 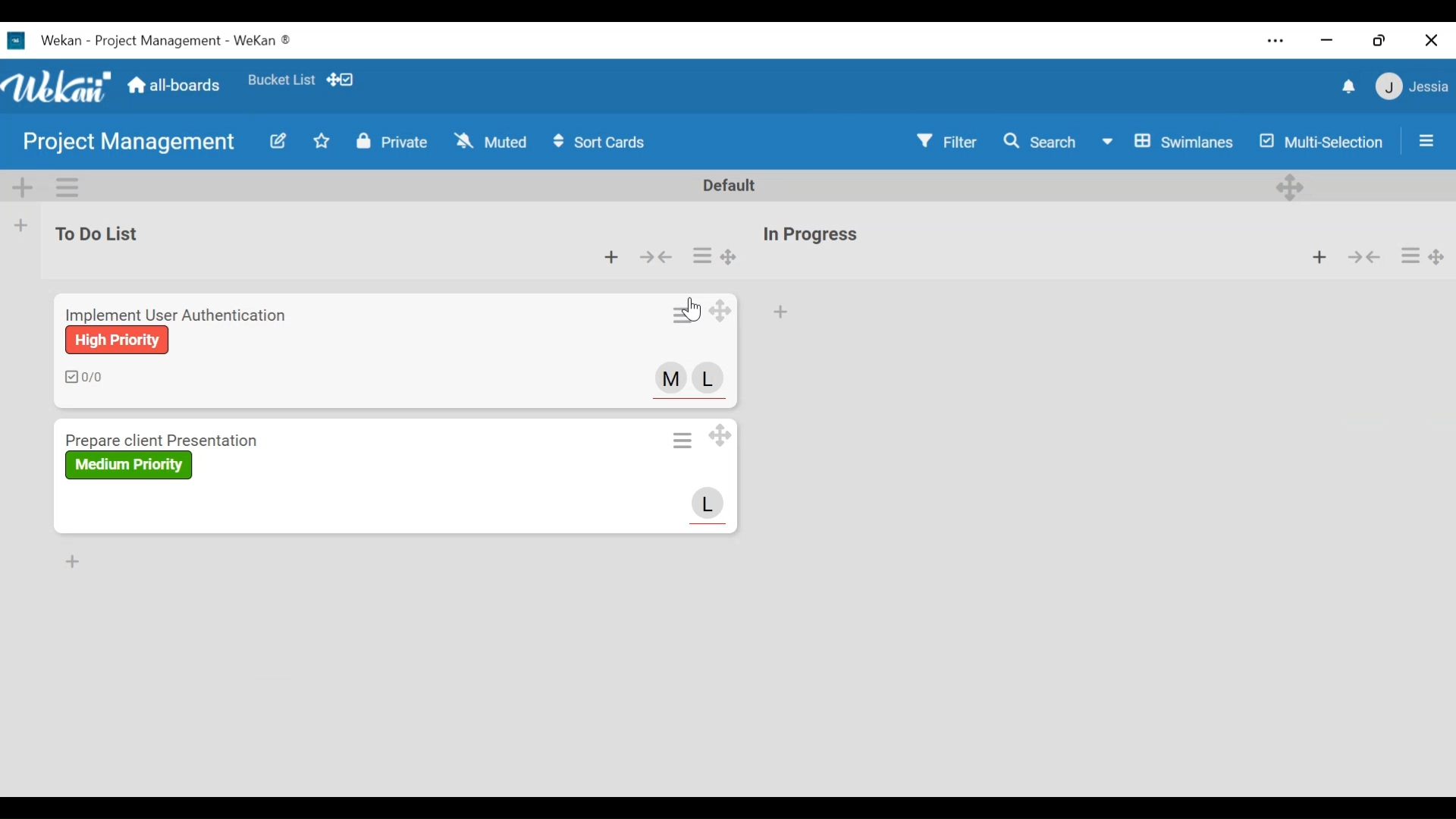 I want to click on Edit, so click(x=276, y=143).